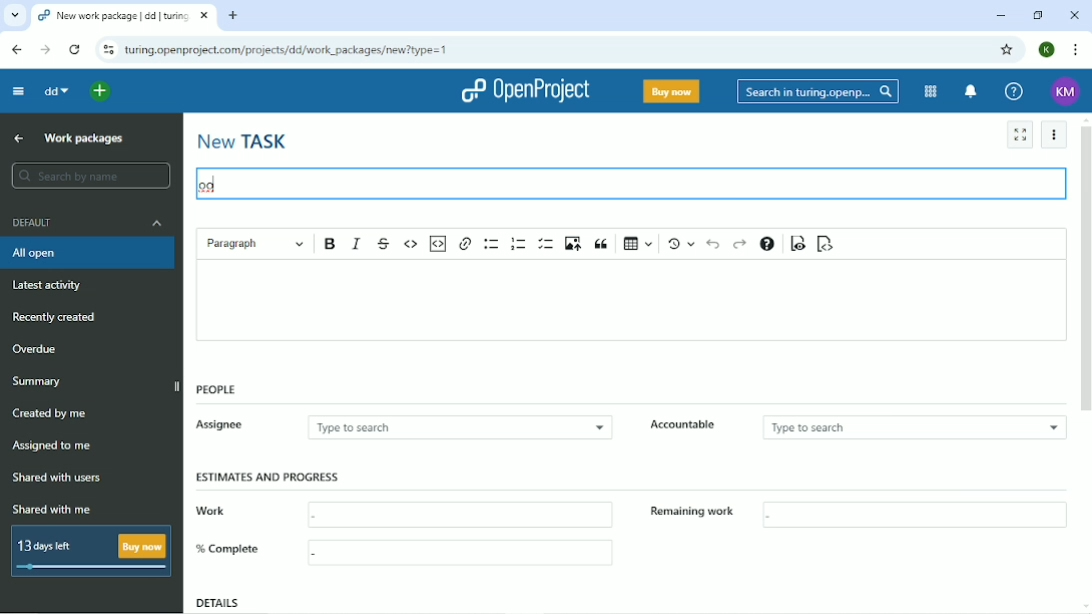 This screenshot has height=614, width=1092. What do you see at coordinates (527, 91) in the screenshot?
I see `OpenProject` at bounding box center [527, 91].